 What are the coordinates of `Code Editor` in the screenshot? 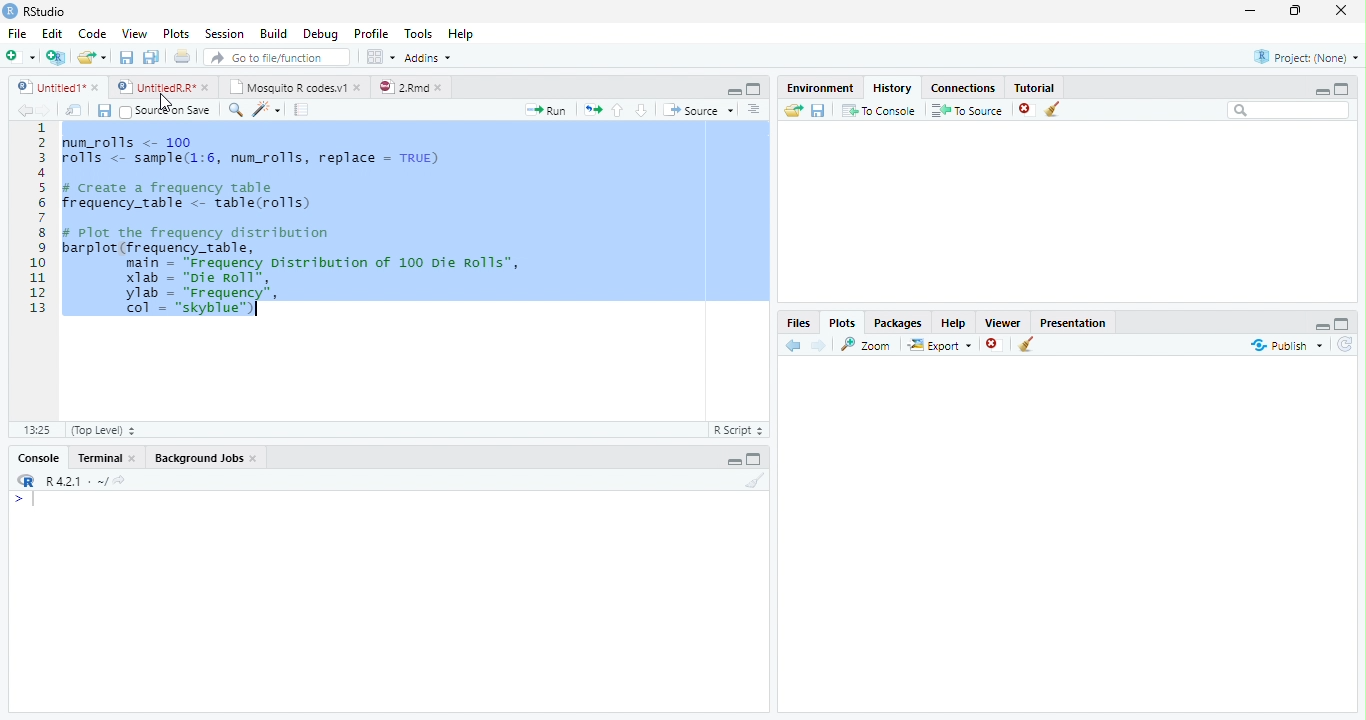 It's located at (374, 271).